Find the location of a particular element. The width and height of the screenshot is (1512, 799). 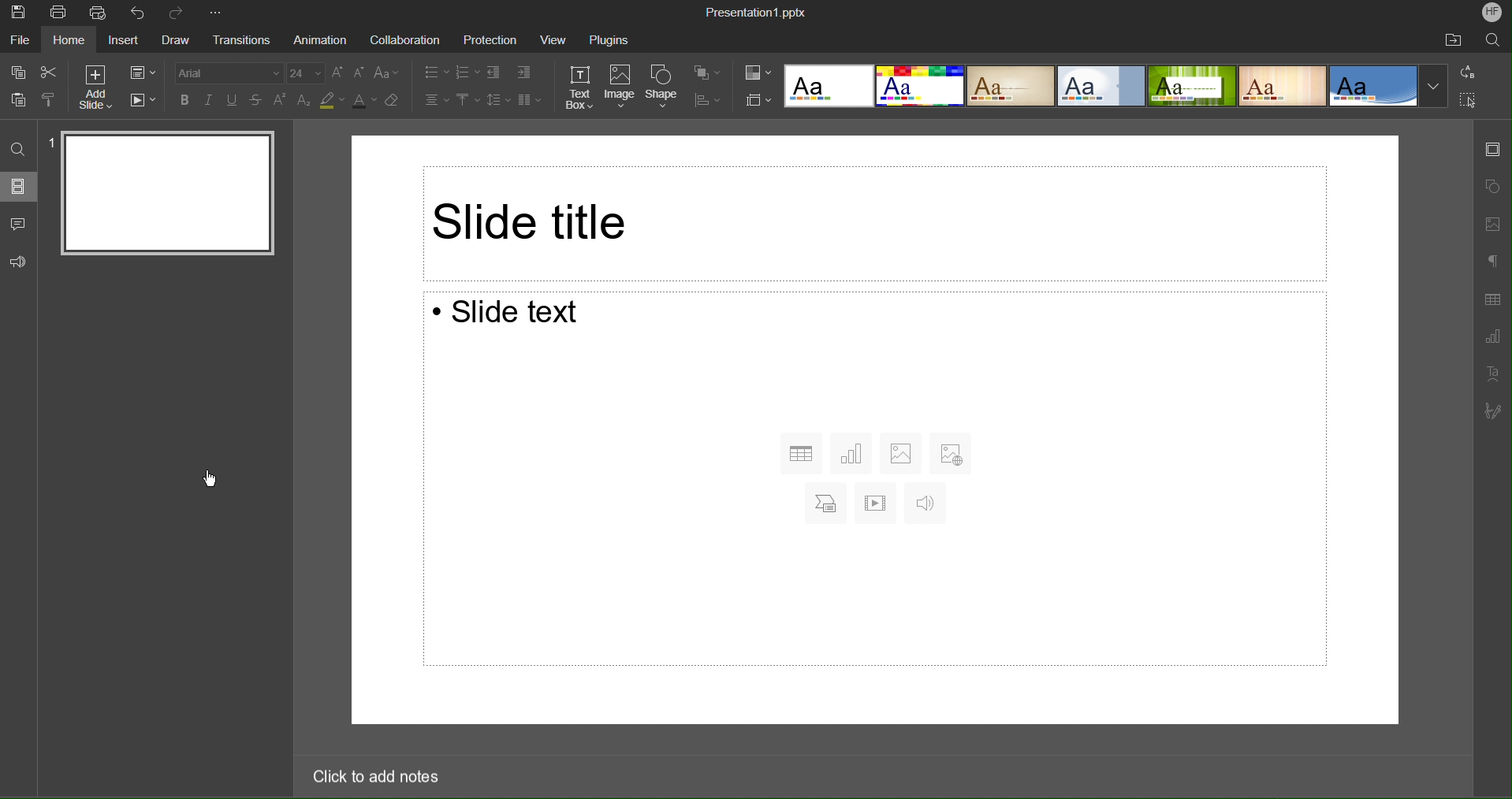

Shape Settings is located at coordinates (1493, 186).